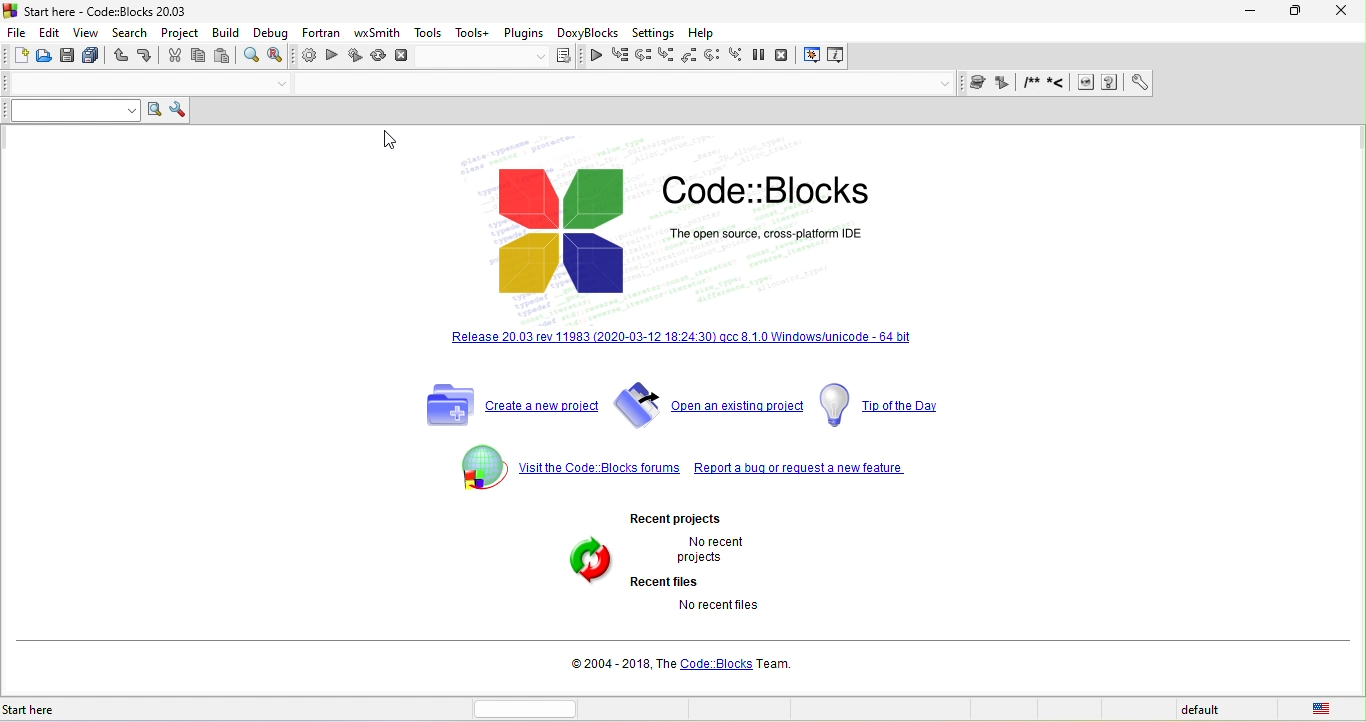  I want to click on replace, so click(276, 56).